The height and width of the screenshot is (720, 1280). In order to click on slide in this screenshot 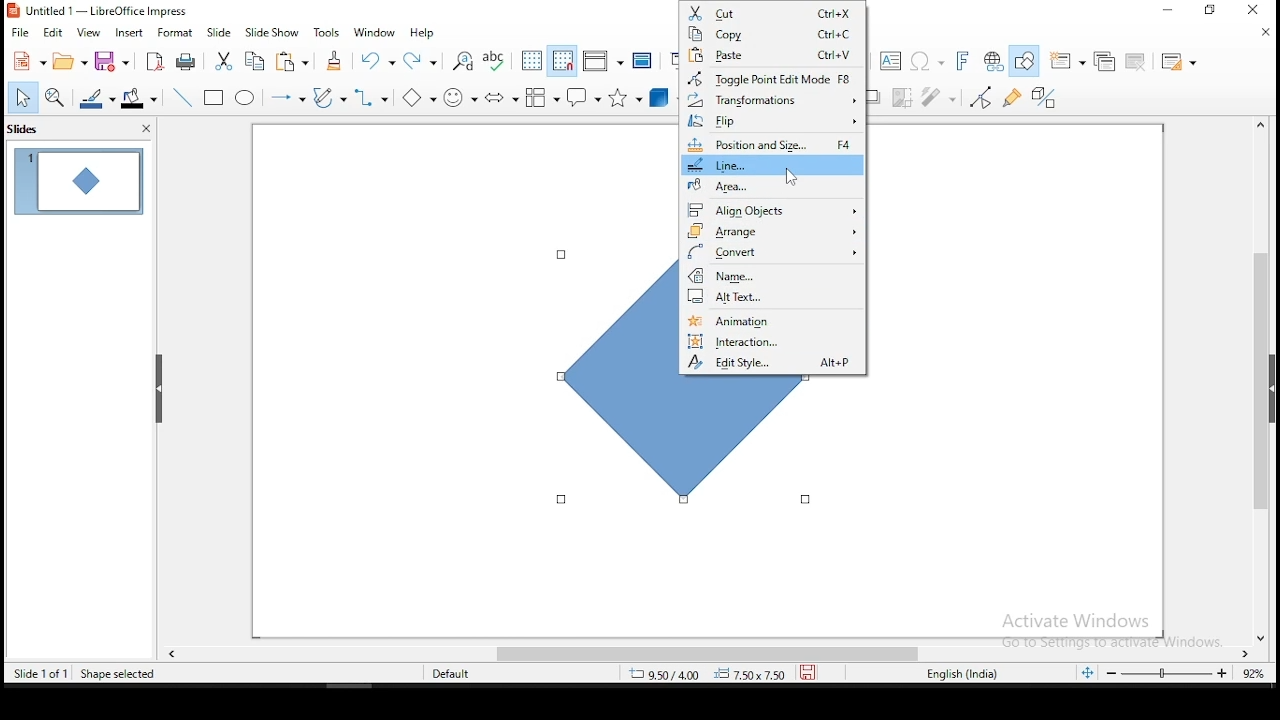, I will do `click(219, 31)`.